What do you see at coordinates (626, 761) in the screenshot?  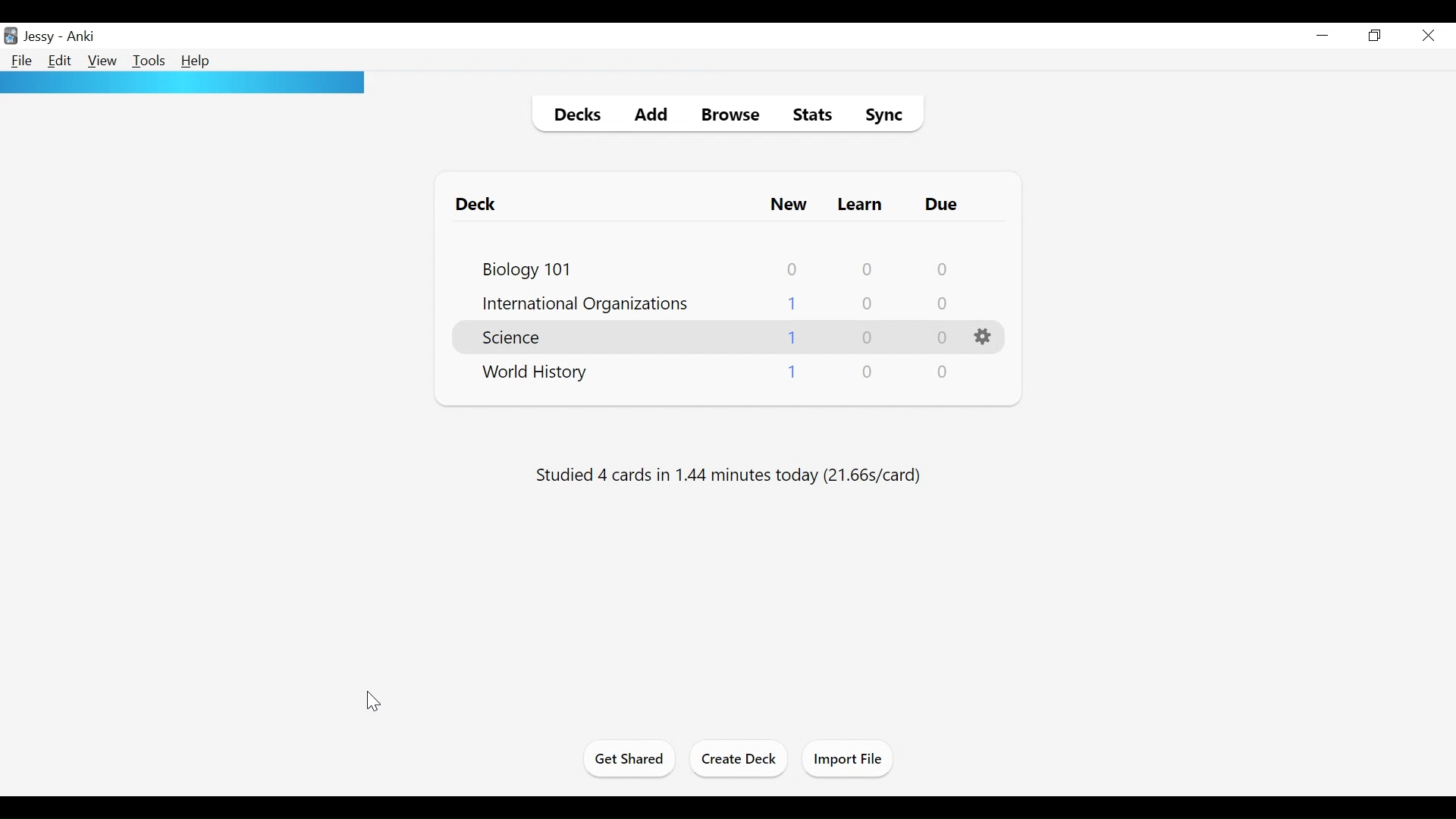 I see `Get Shared` at bounding box center [626, 761].